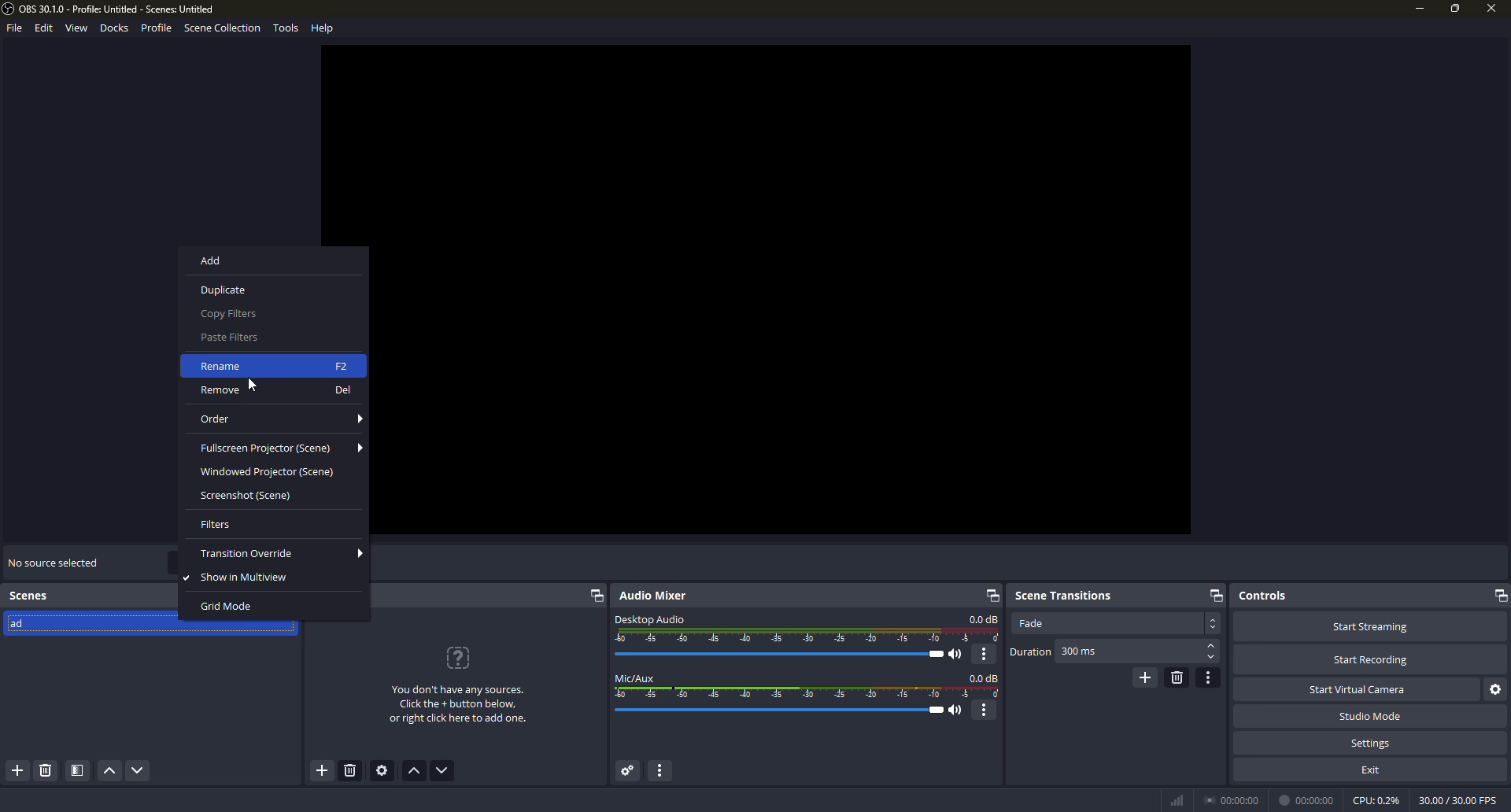 The image size is (1511, 812). I want to click on Rename F2, so click(273, 365).